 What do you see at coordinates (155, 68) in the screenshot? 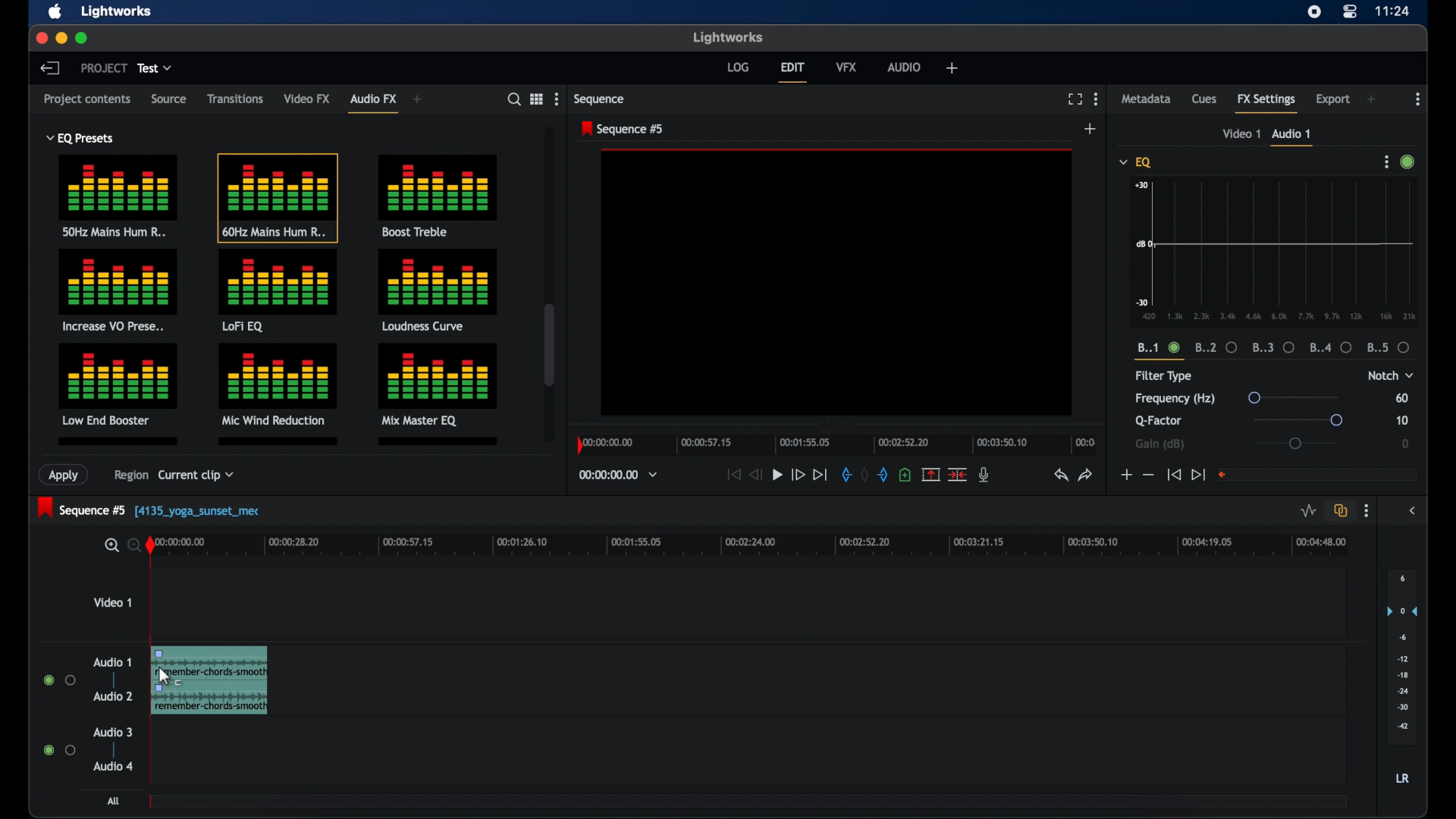
I see `test` at bounding box center [155, 68].